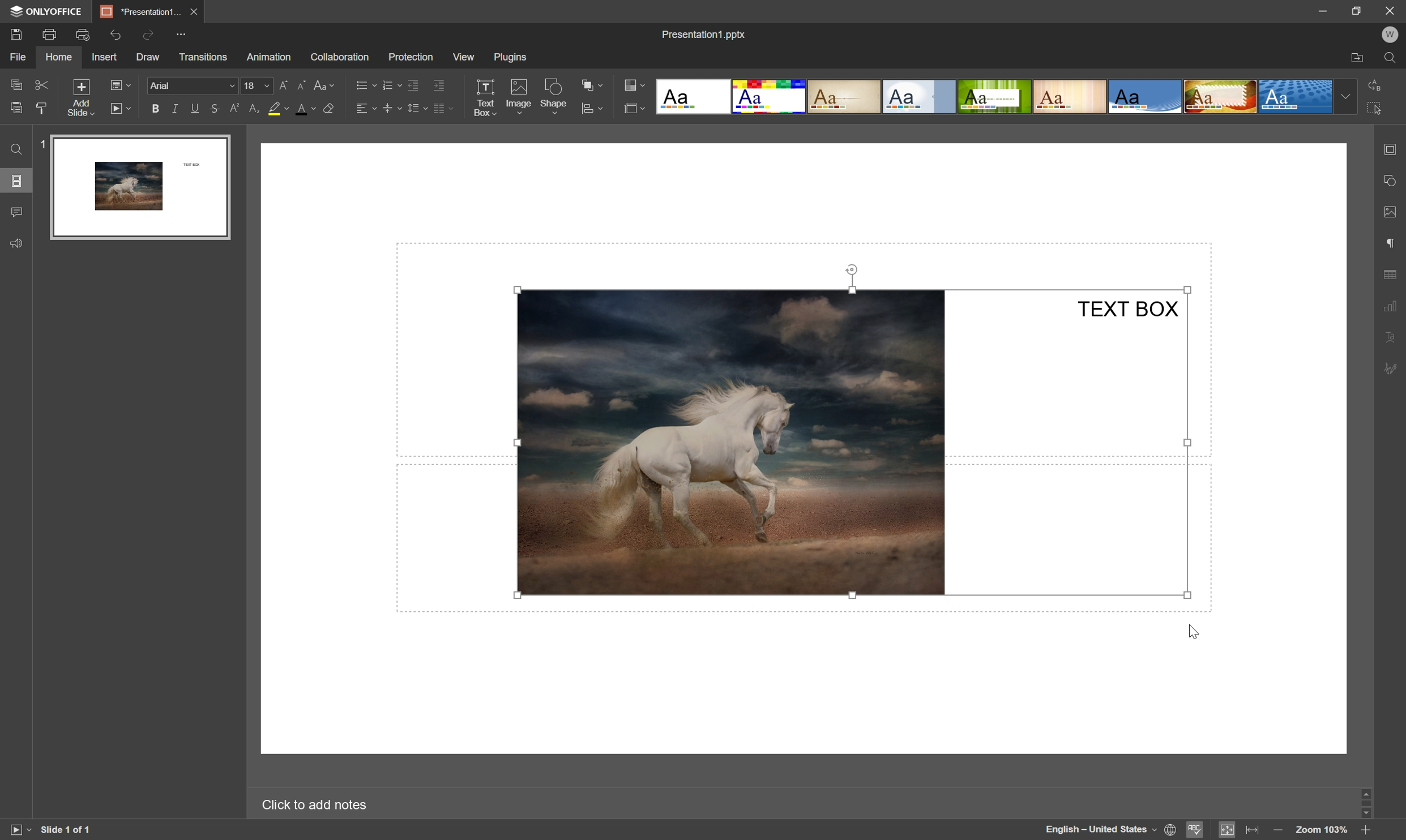 Image resolution: width=1406 pixels, height=840 pixels. Describe the element at coordinates (417, 108) in the screenshot. I see `line spacing` at that location.